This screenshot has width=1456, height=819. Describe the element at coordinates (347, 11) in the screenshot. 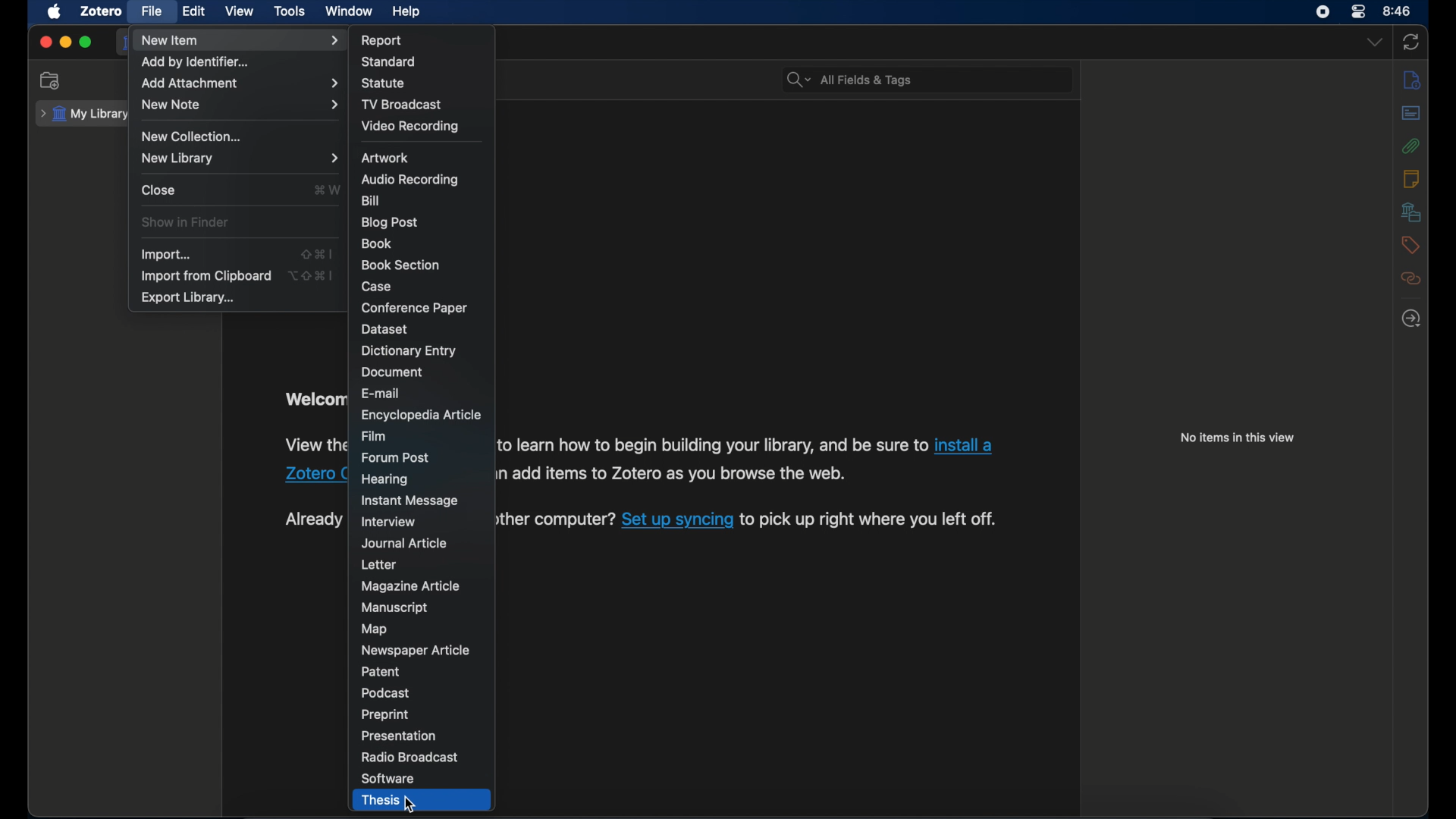

I see `window` at that location.